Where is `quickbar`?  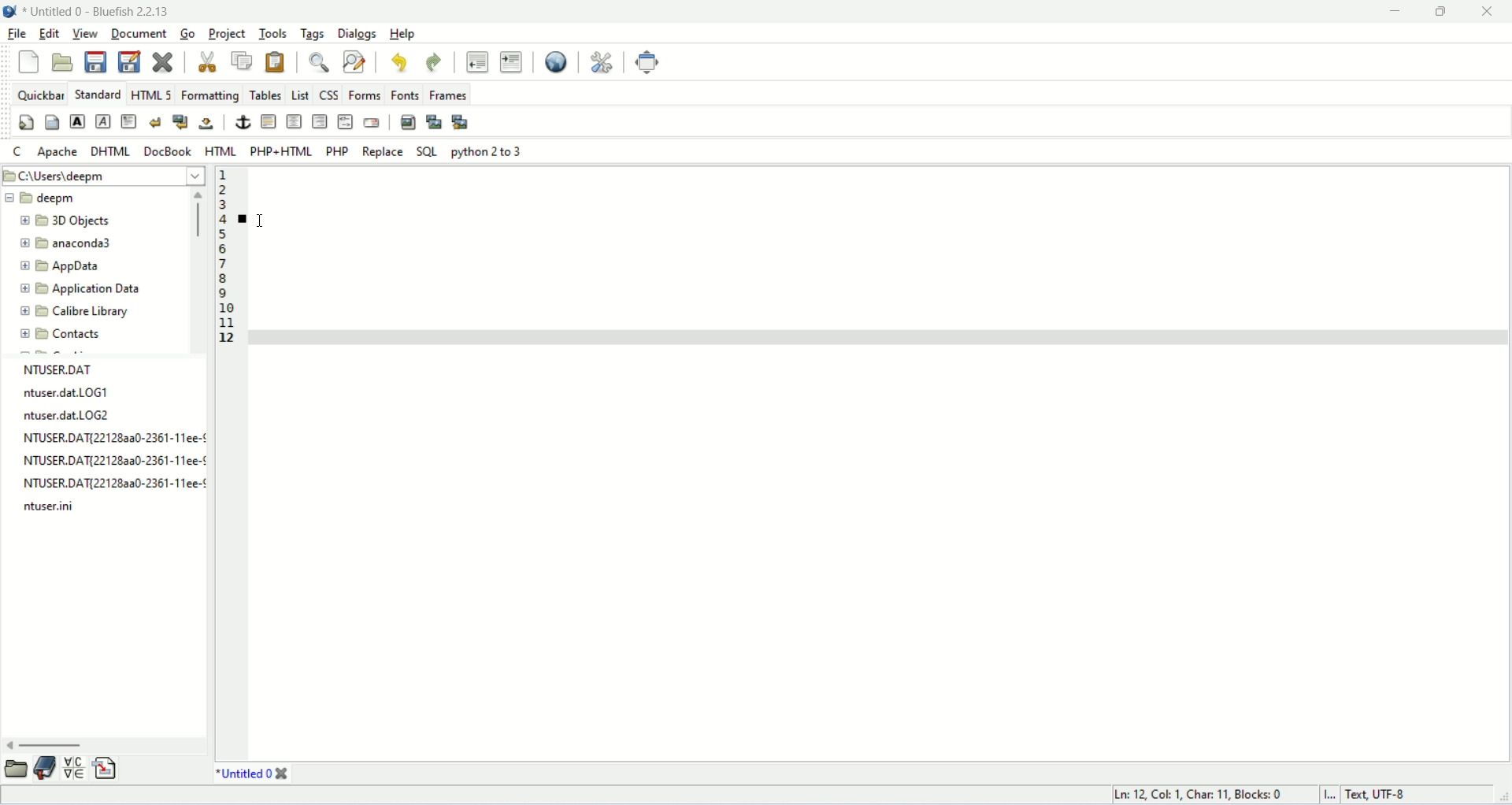 quickbar is located at coordinates (42, 94).